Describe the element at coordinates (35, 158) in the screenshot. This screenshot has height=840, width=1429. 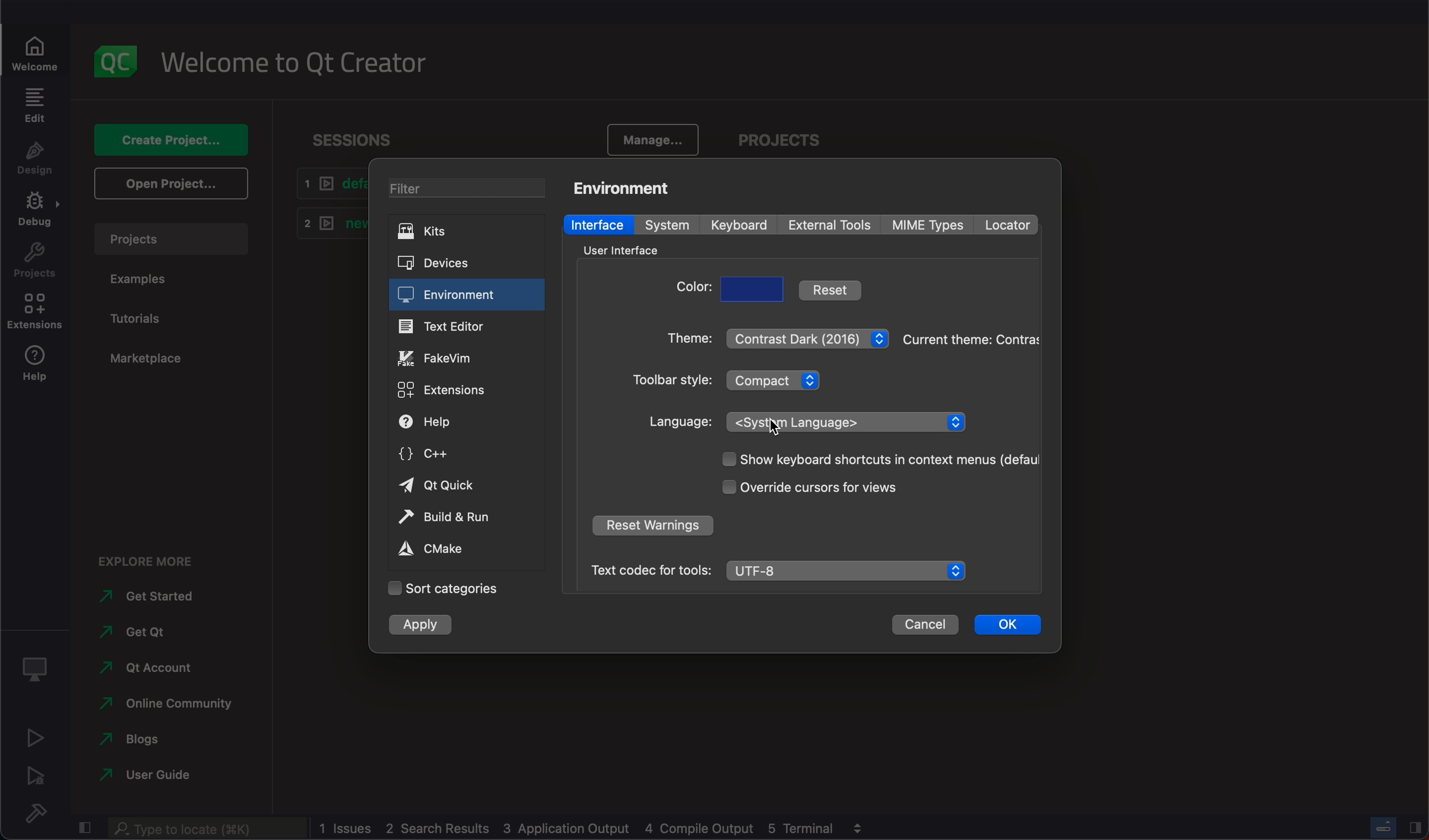
I see `design` at that location.